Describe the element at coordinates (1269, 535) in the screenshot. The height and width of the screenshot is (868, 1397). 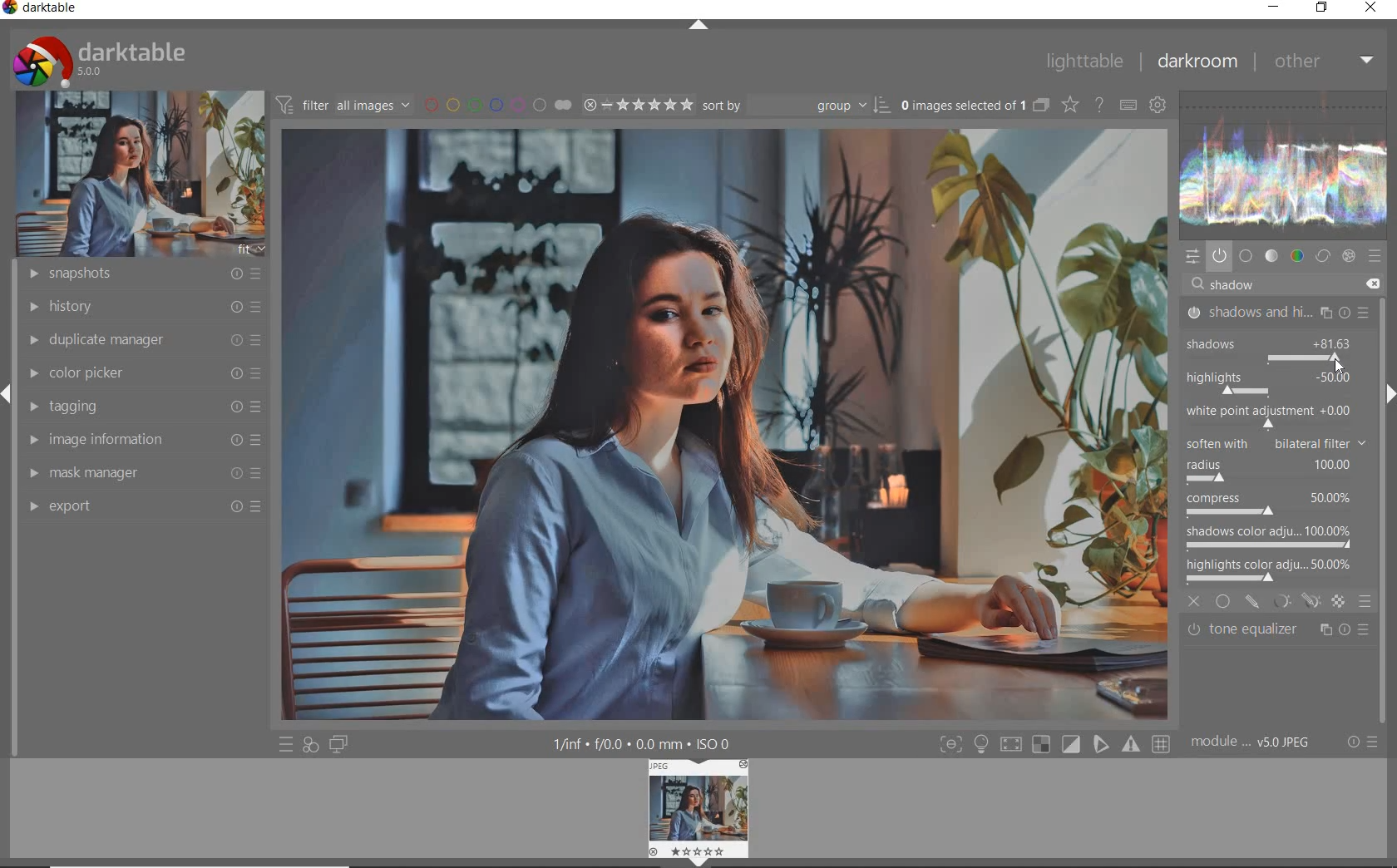
I see `shadows color adjustment` at that location.